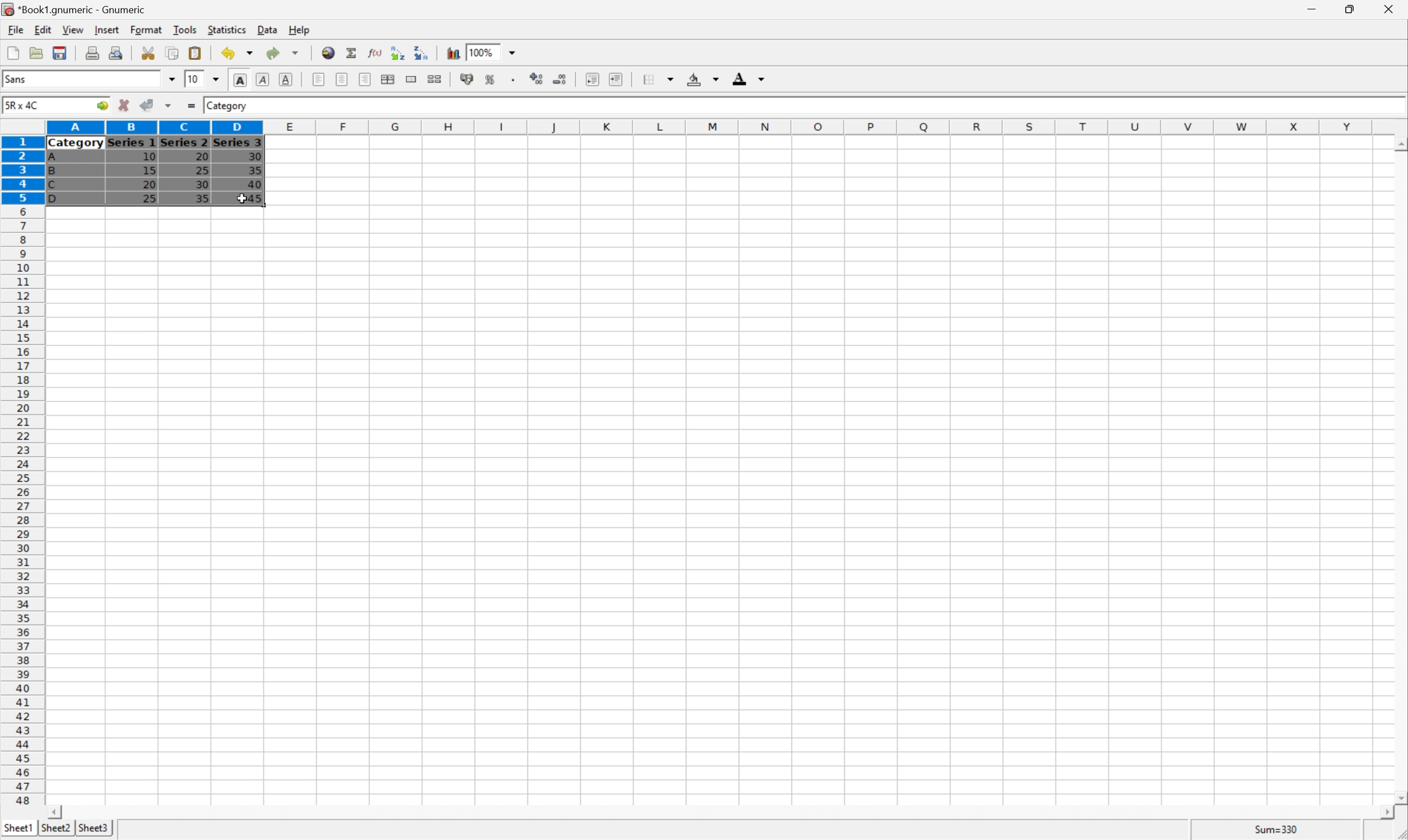  I want to click on D, so click(58, 199).